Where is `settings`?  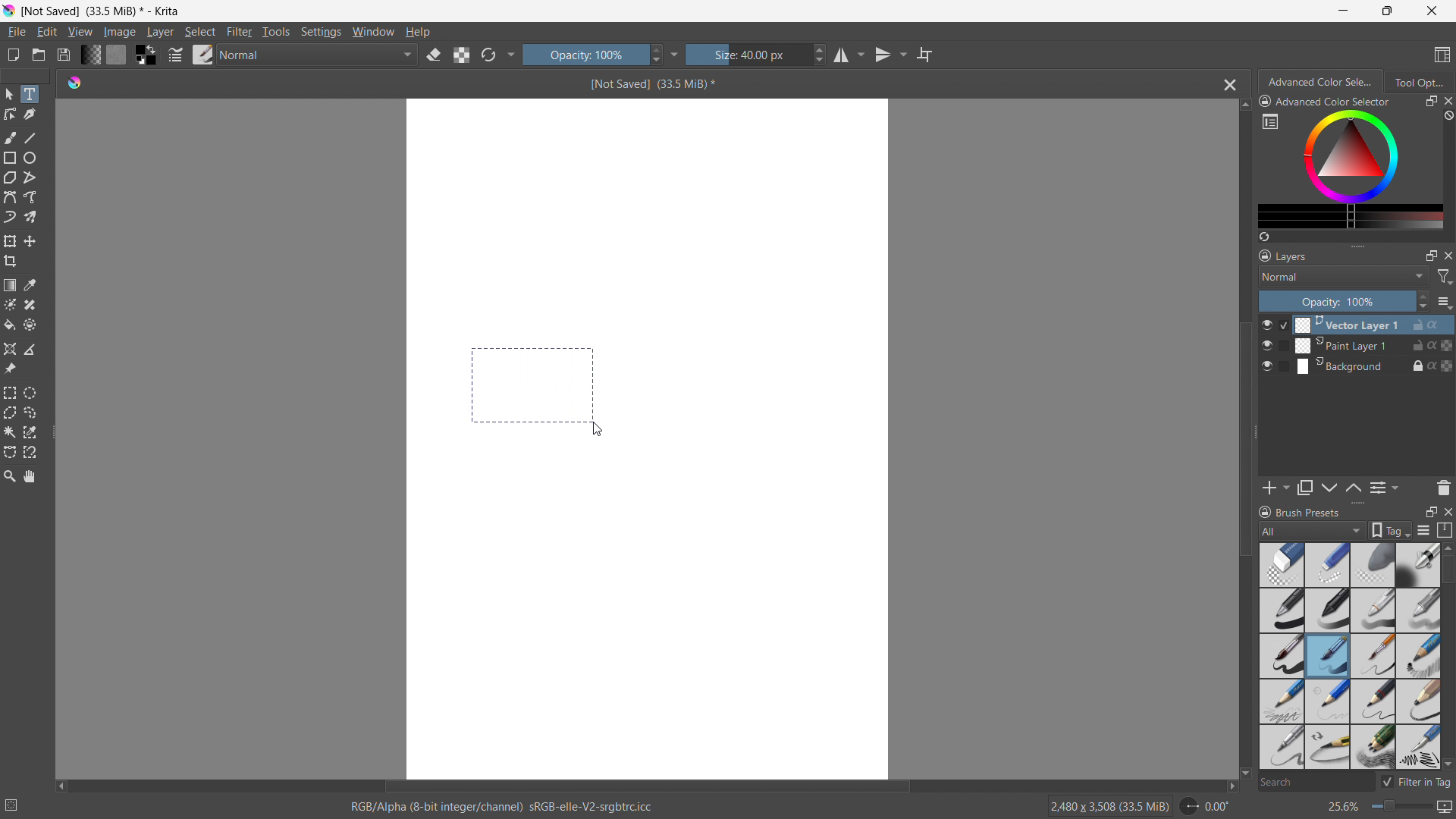
settings is located at coordinates (321, 33).